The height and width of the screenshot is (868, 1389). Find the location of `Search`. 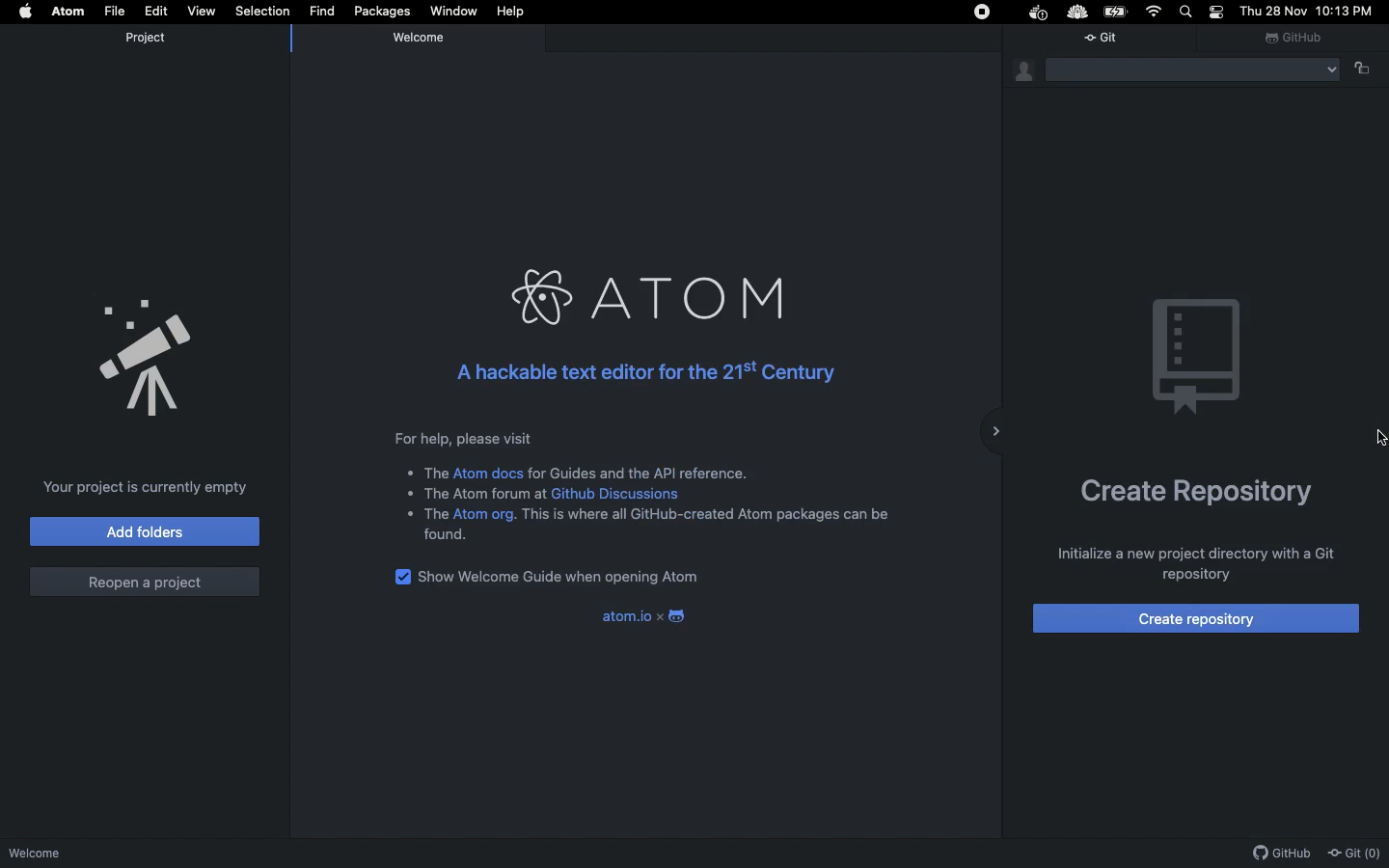

Search is located at coordinates (1188, 13).